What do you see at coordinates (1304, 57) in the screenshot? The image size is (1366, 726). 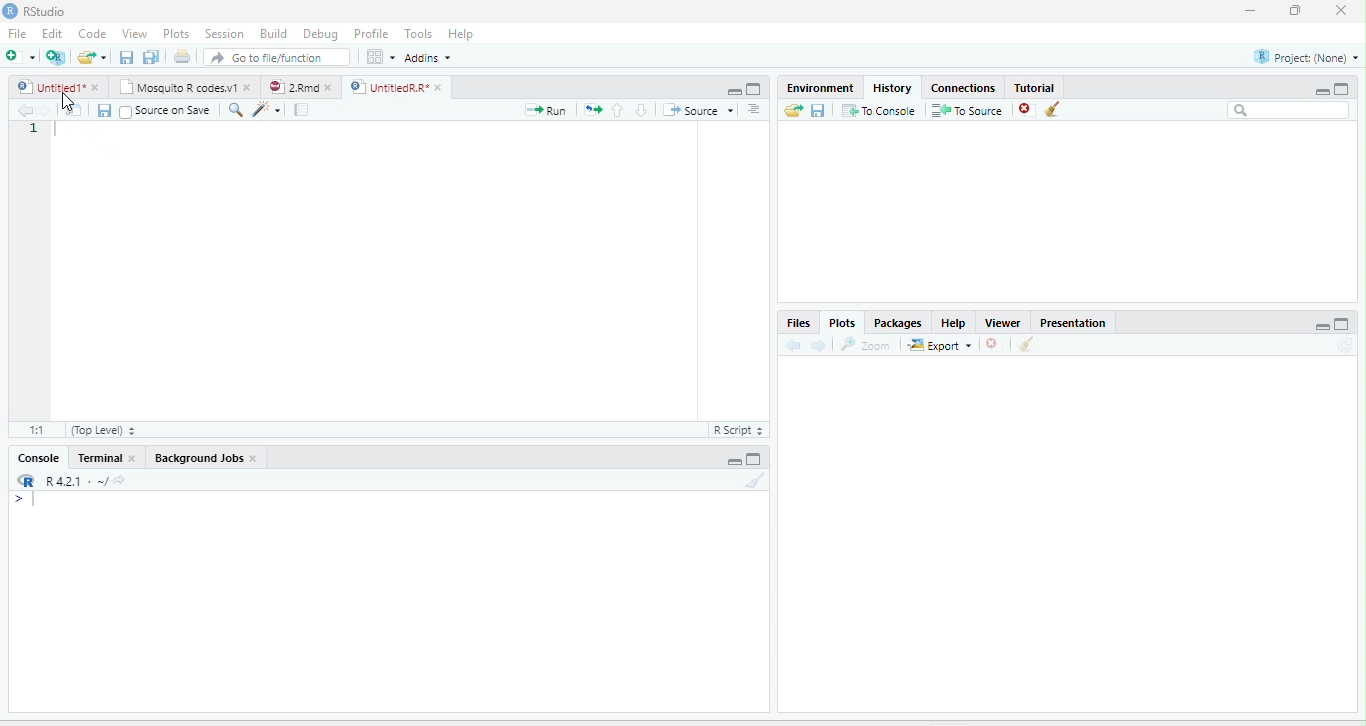 I see `Project: (None)` at bounding box center [1304, 57].